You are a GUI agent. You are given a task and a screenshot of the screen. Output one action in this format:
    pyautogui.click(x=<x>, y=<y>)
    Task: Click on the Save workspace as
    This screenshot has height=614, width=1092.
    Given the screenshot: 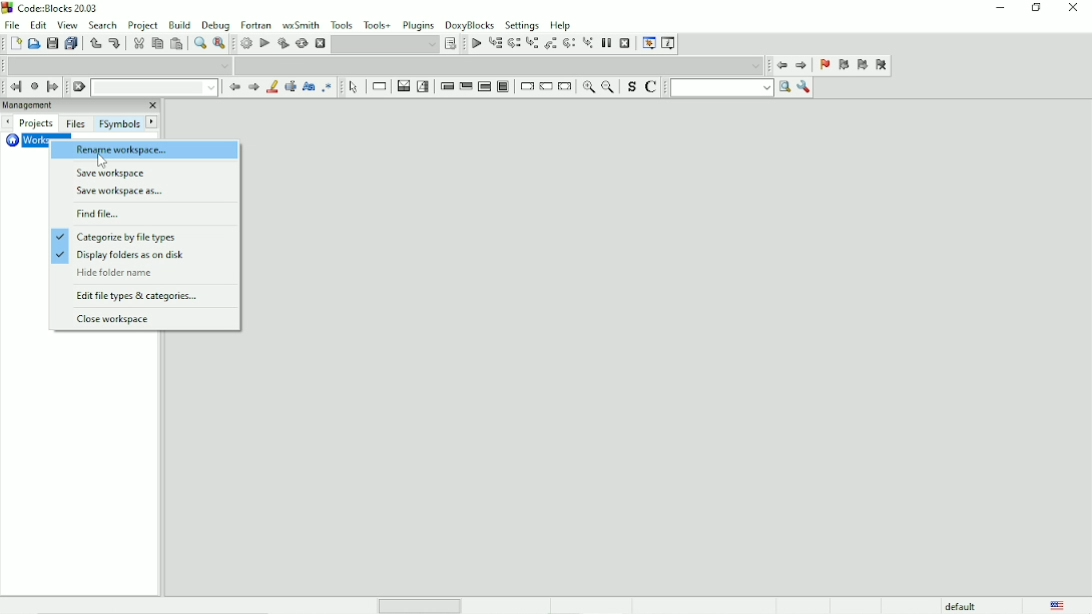 What is the action you would take?
    pyautogui.click(x=125, y=192)
    